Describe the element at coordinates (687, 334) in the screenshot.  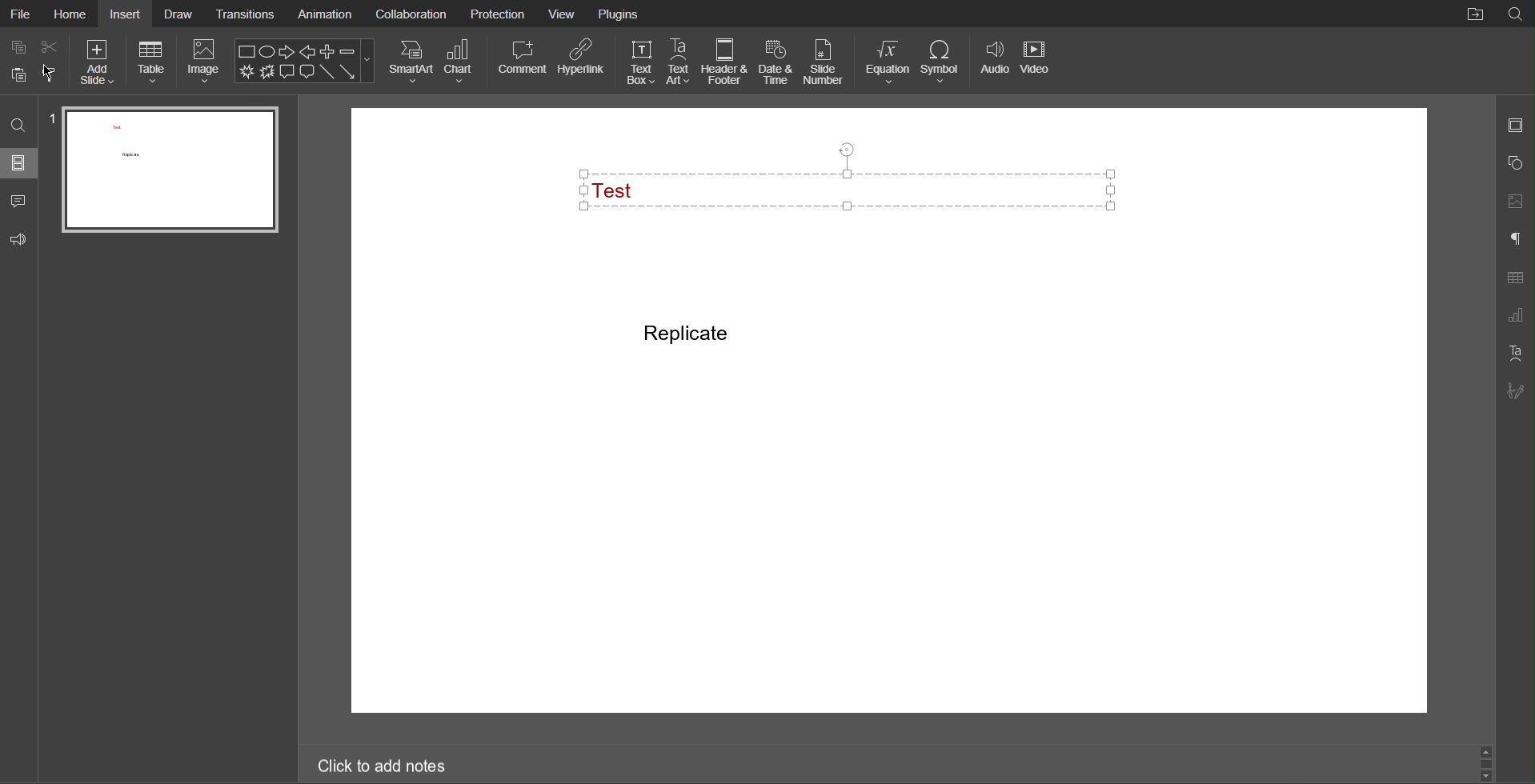
I see `Replicate` at that location.